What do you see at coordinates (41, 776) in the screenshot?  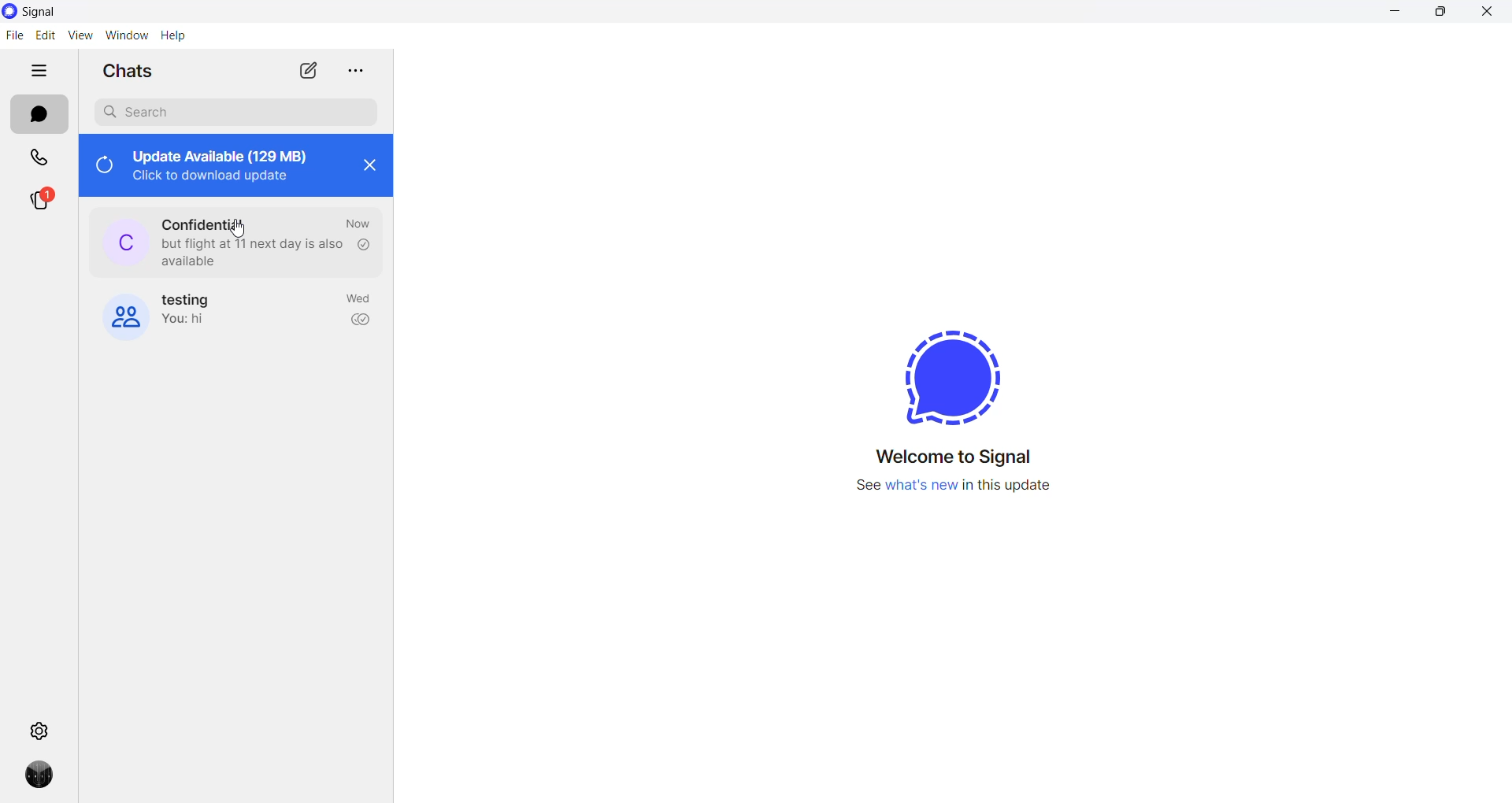 I see `profile` at bounding box center [41, 776].